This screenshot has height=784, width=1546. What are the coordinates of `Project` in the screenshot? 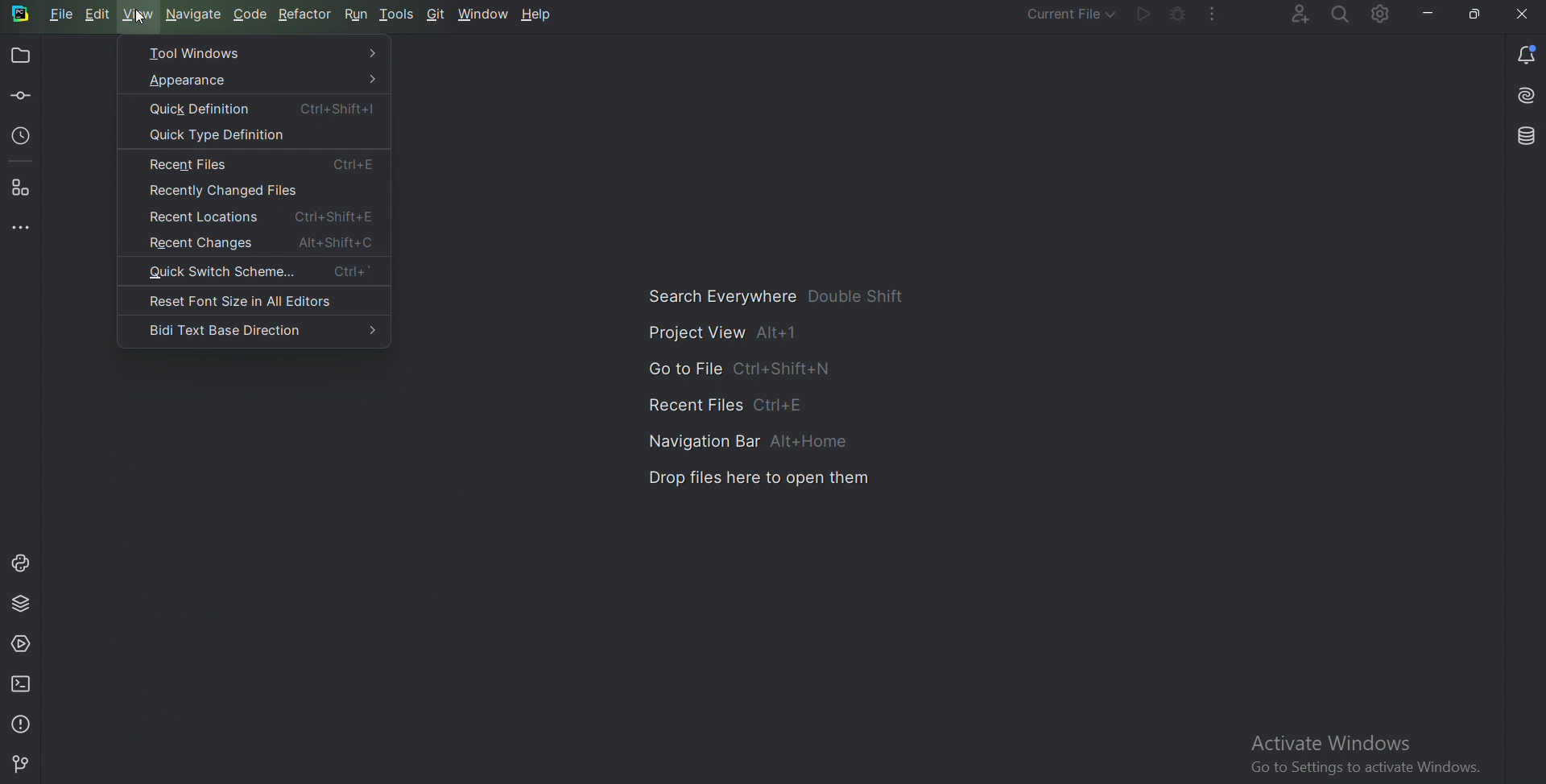 It's located at (22, 56).